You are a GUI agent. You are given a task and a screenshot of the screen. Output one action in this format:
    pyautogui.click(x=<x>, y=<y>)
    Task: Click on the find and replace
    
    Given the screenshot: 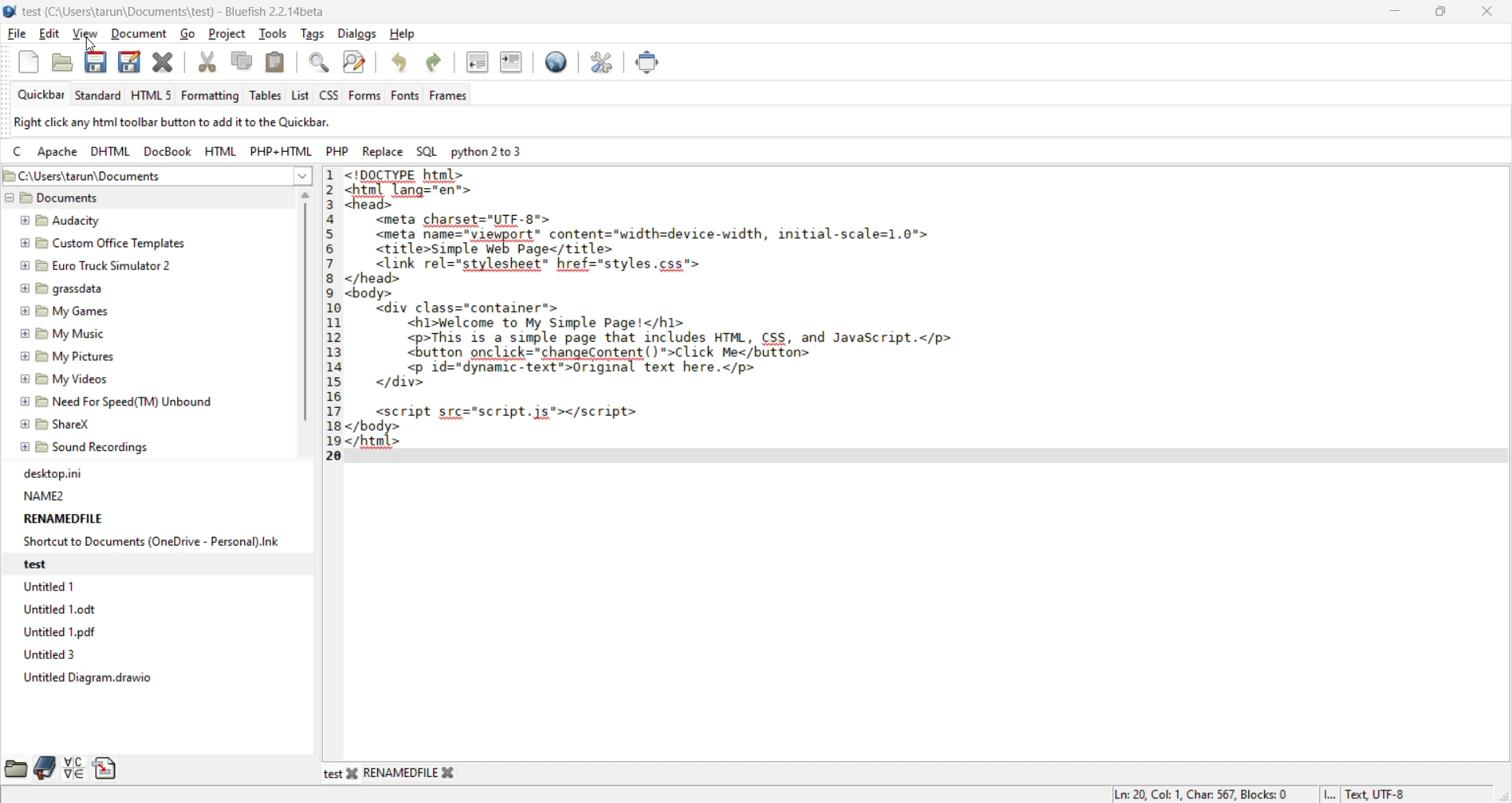 What is the action you would take?
    pyautogui.click(x=358, y=65)
    